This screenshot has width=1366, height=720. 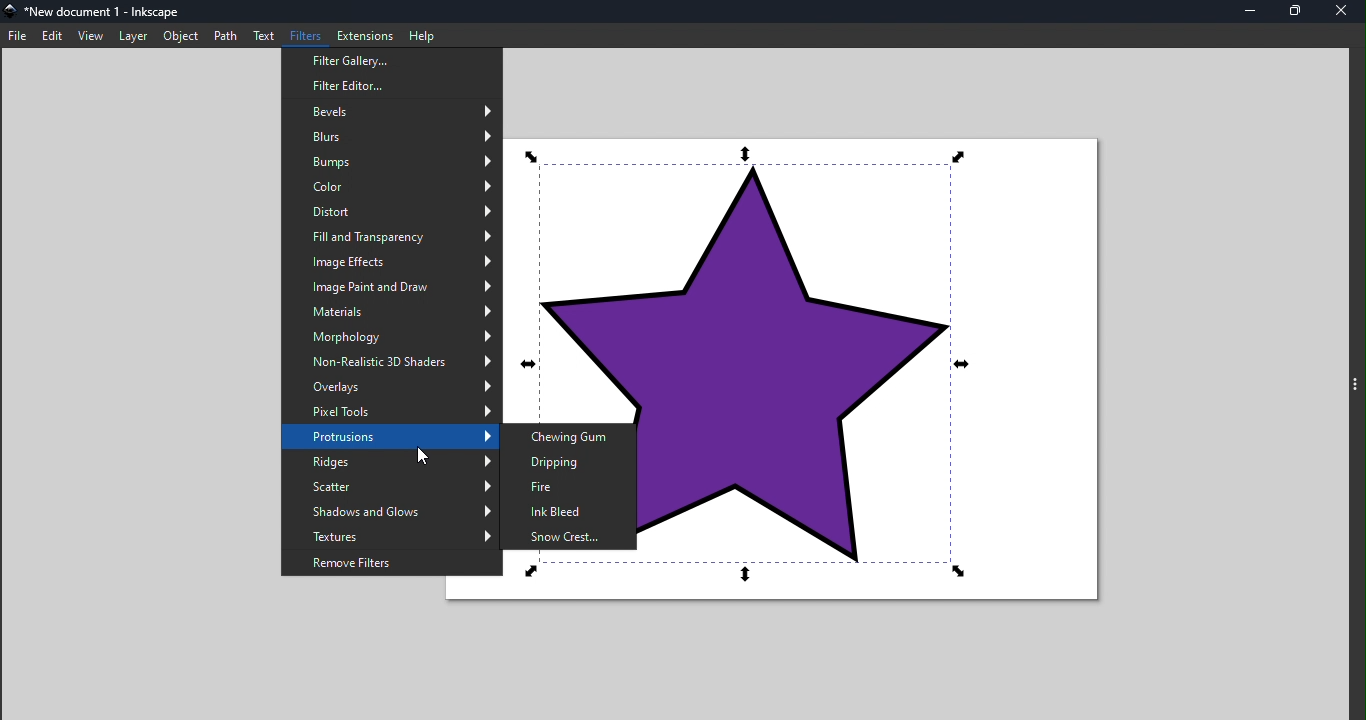 What do you see at coordinates (567, 434) in the screenshot?
I see `Chewing` at bounding box center [567, 434].